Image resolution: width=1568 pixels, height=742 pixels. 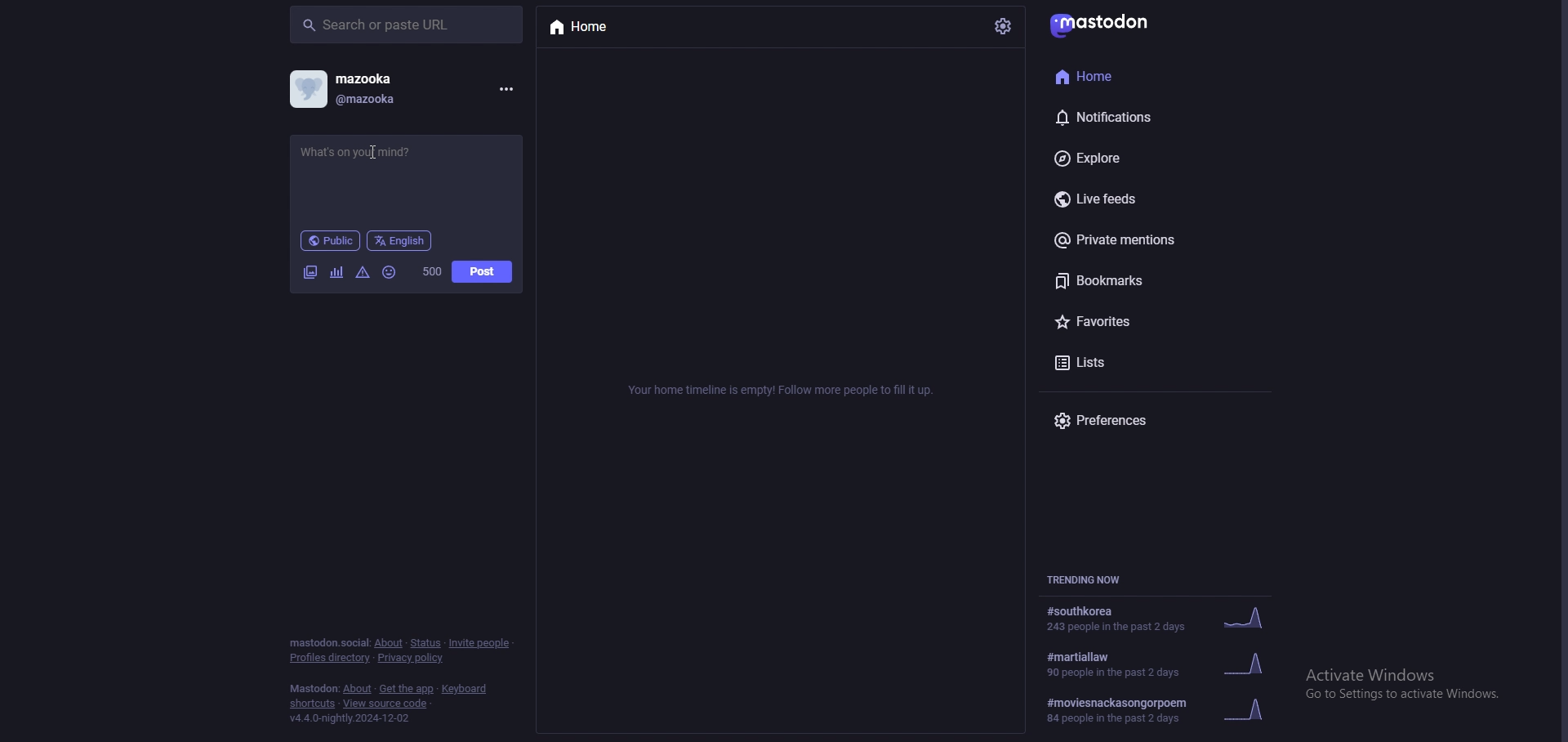 What do you see at coordinates (390, 272) in the screenshot?
I see `emoji` at bounding box center [390, 272].